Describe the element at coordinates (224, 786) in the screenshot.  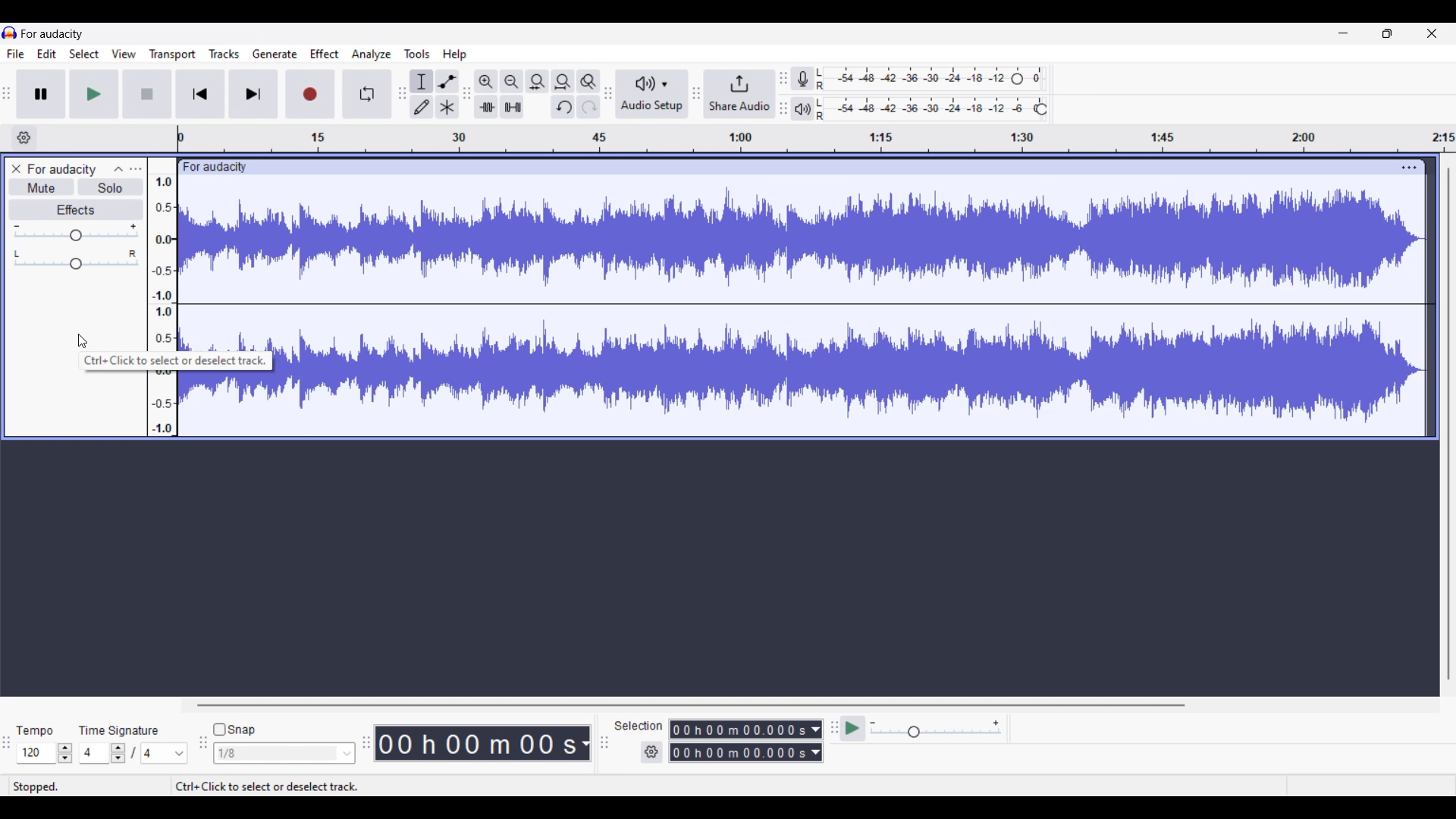
I see `Status bar information` at that location.